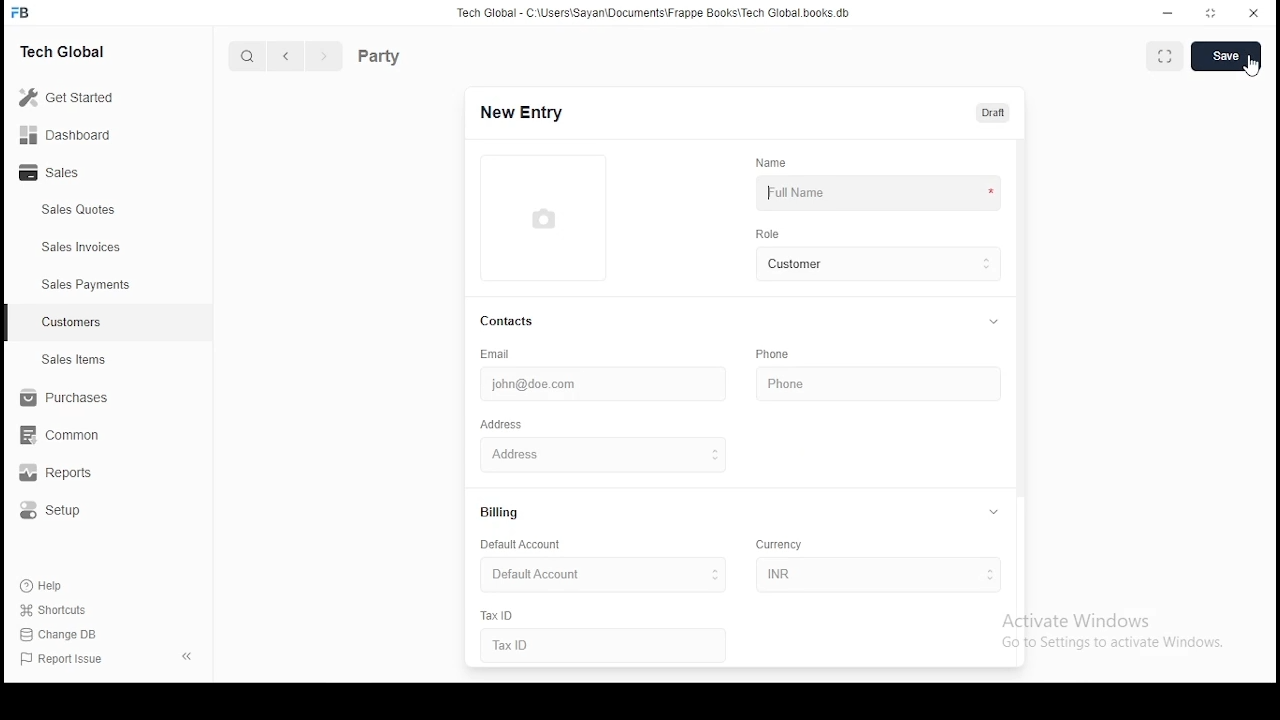 The image size is (1280, 720). What do you see at coordinates (64, 474) in the screenshot?
I see `reports` at bounding box center [64, 474].